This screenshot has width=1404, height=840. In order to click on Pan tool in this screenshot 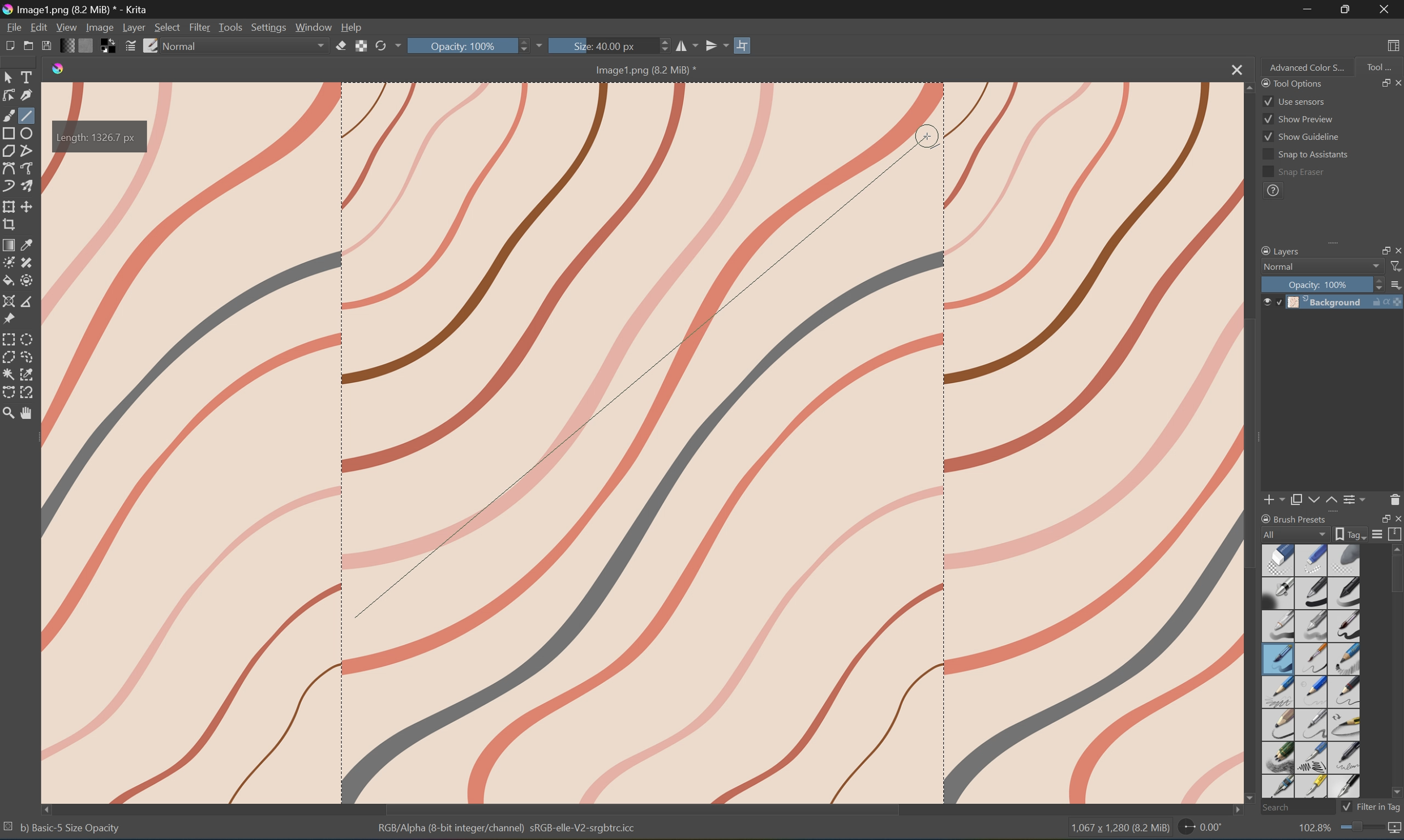, I will do `click(28, 415)`.